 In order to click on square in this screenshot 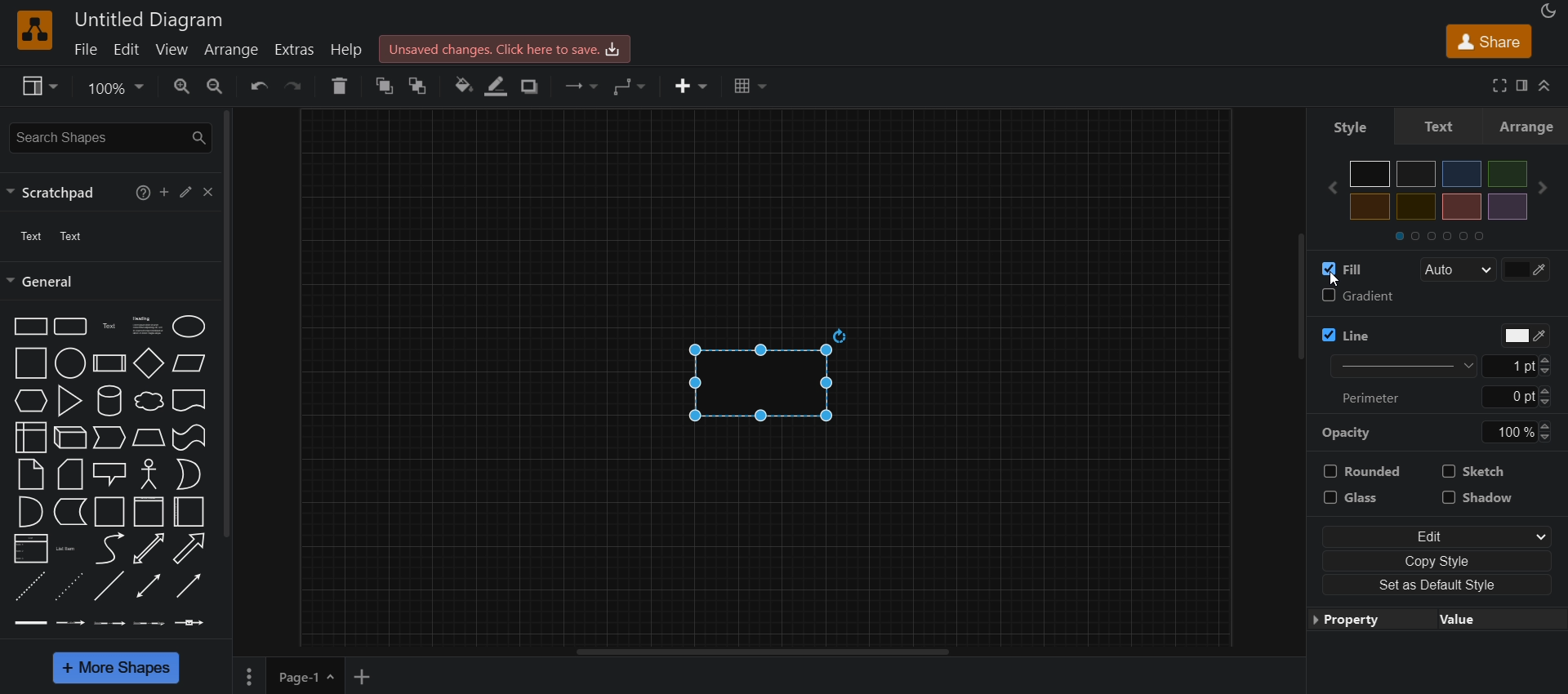, I will do `click(30, 363)`.